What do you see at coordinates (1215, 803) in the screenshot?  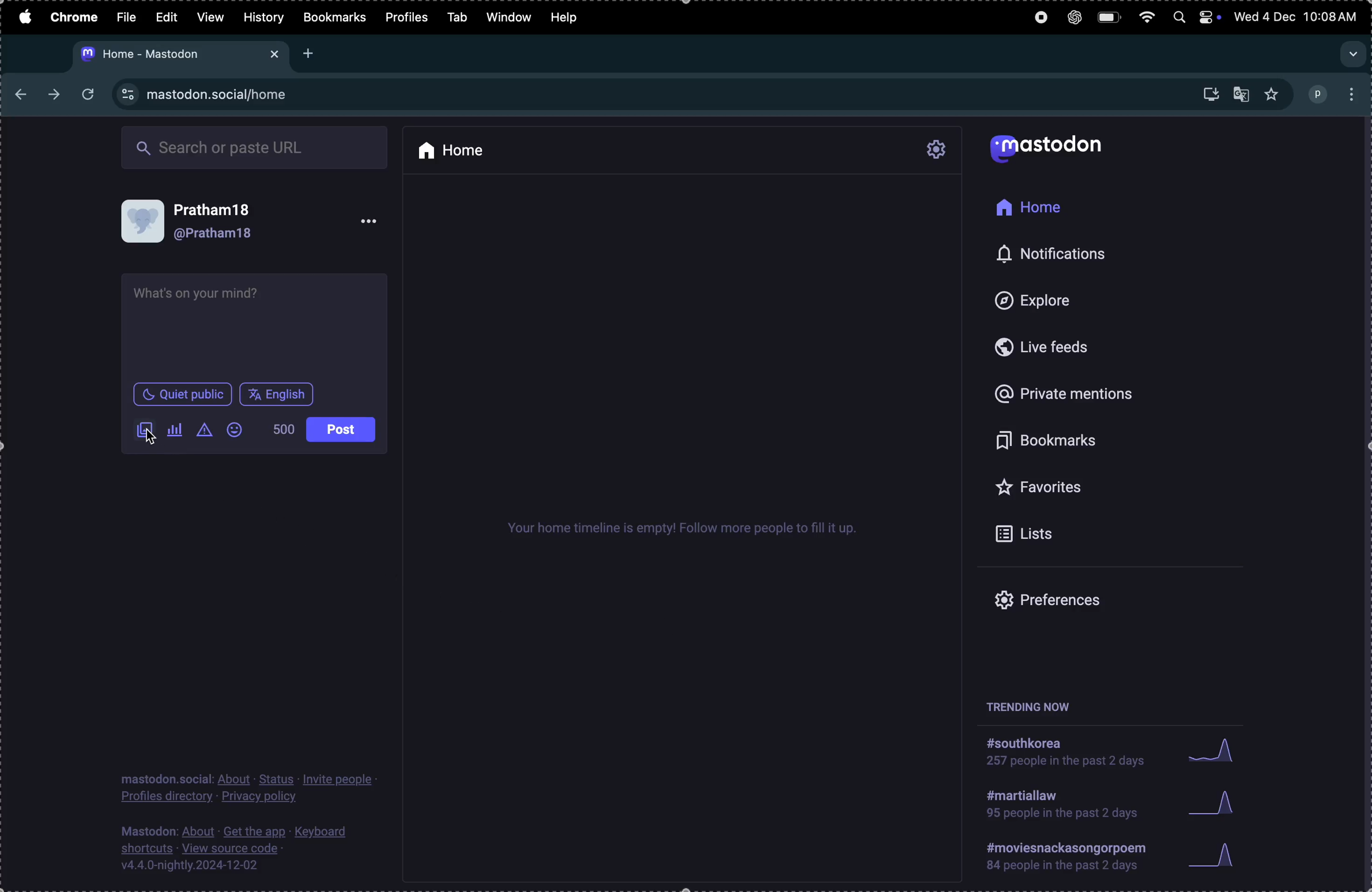 I see `graph` at bounding box center [1215, 803].